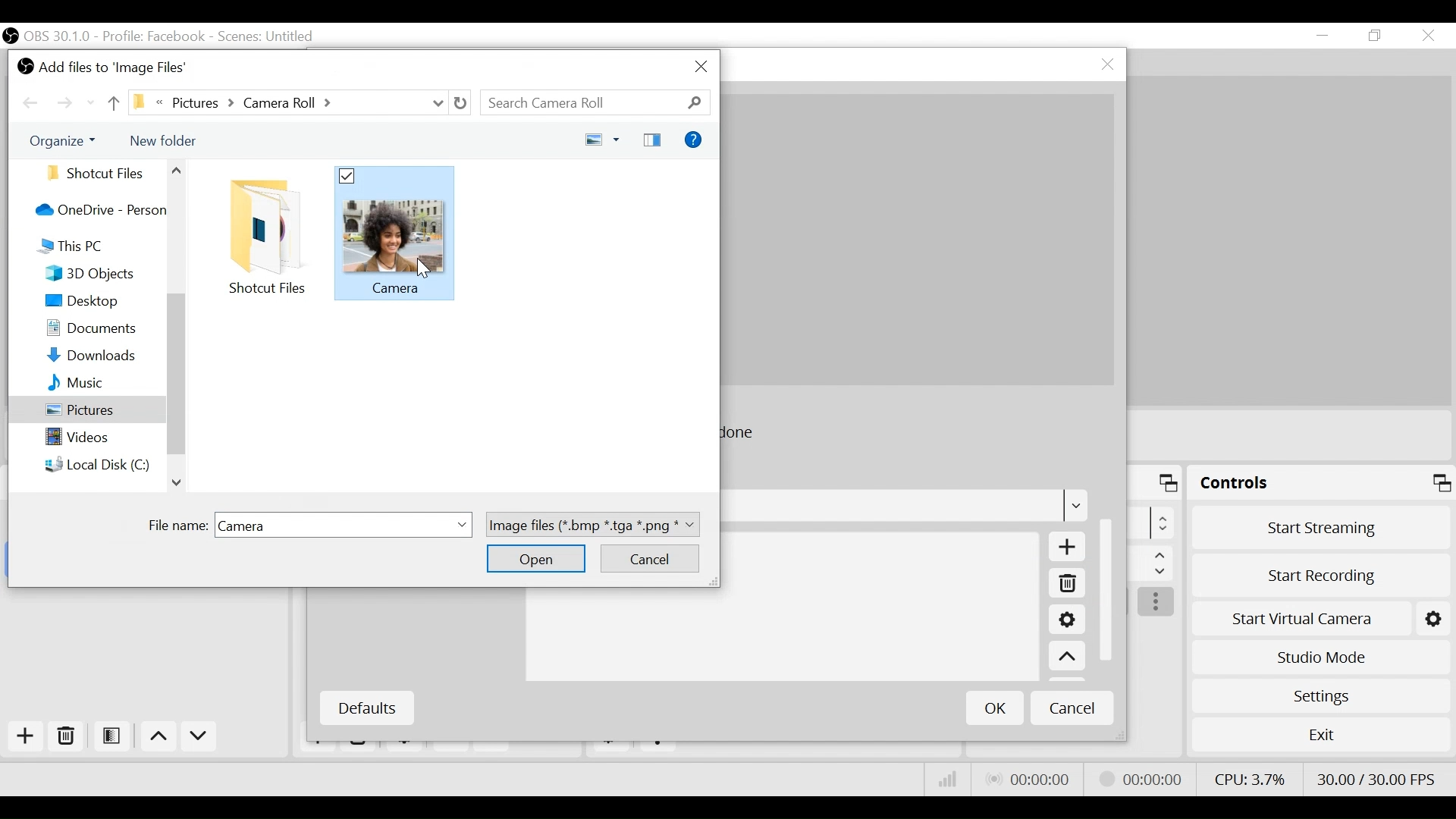 This screenshot has height=819, width=1456. Describe the element at coordinates (288, 104) in the screenshot. I see `File Path` at that location.